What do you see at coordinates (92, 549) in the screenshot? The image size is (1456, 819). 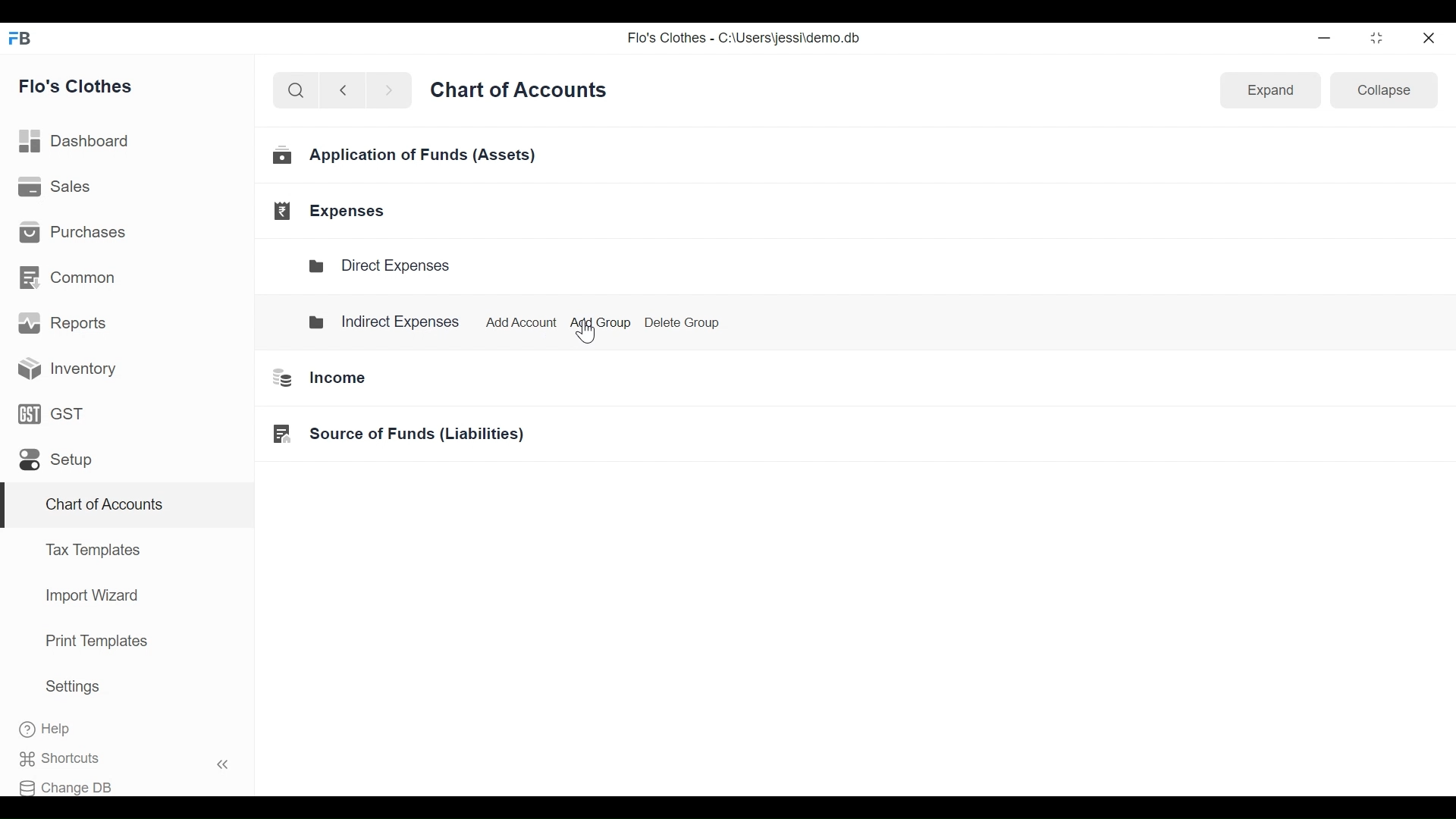 I see `Tax Templates` at bounding box center [92, 549].